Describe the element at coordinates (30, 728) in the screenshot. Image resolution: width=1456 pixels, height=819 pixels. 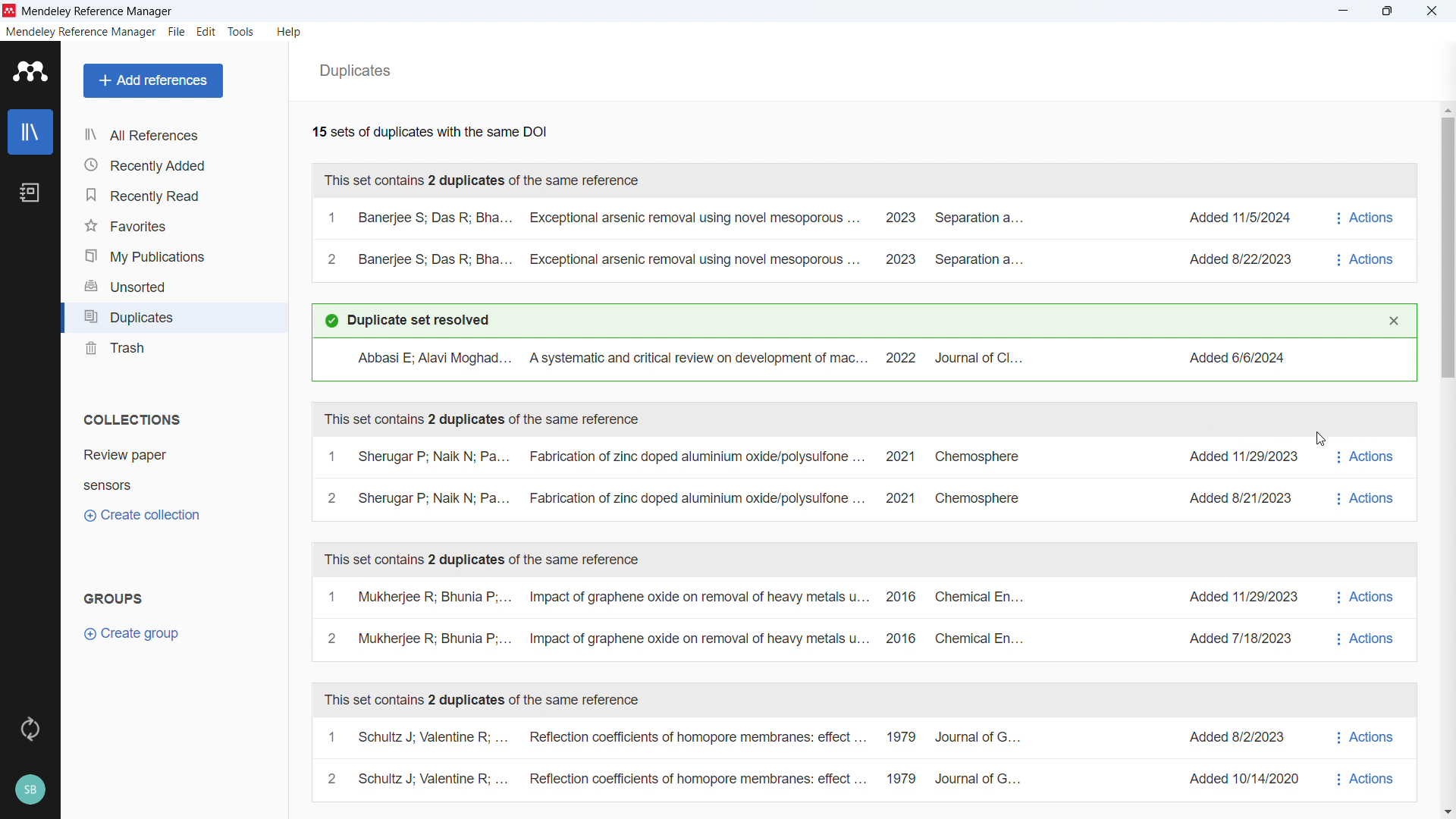
I see `sync` at that location.